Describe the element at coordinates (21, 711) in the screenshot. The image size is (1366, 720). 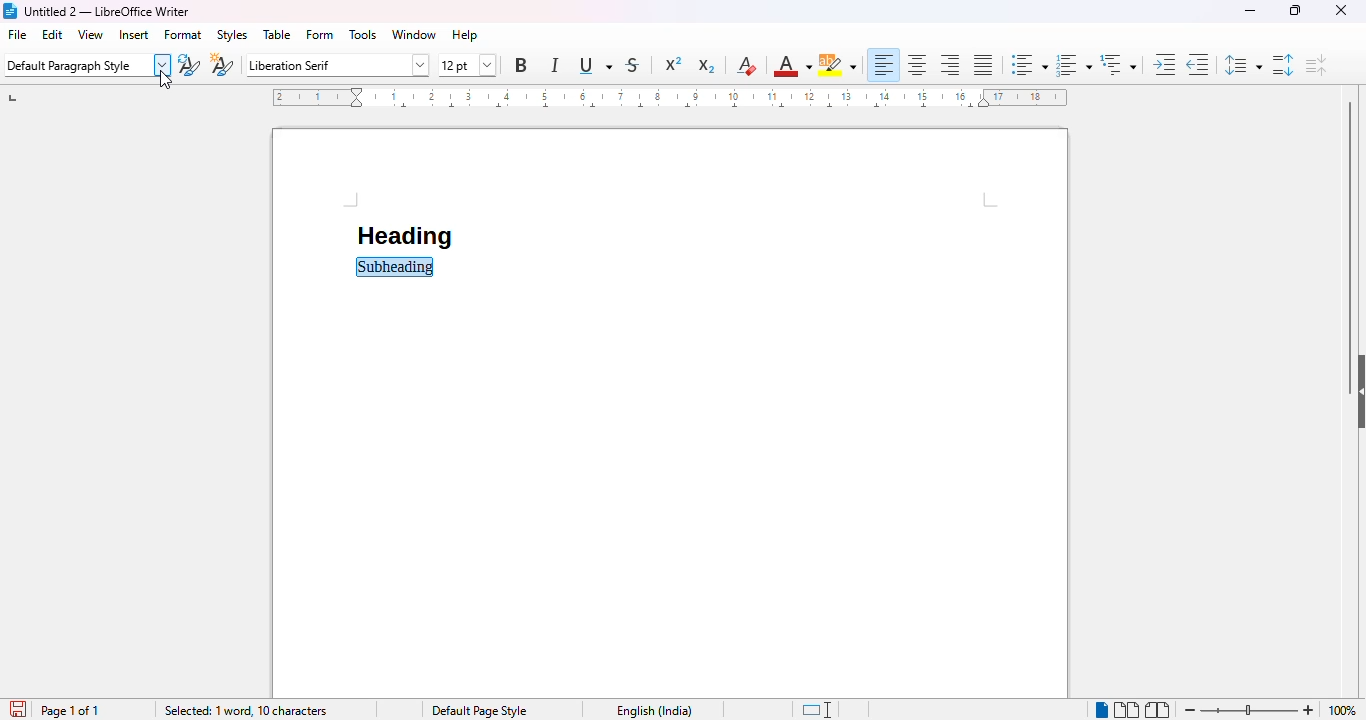
I see `click to save document` at that location.